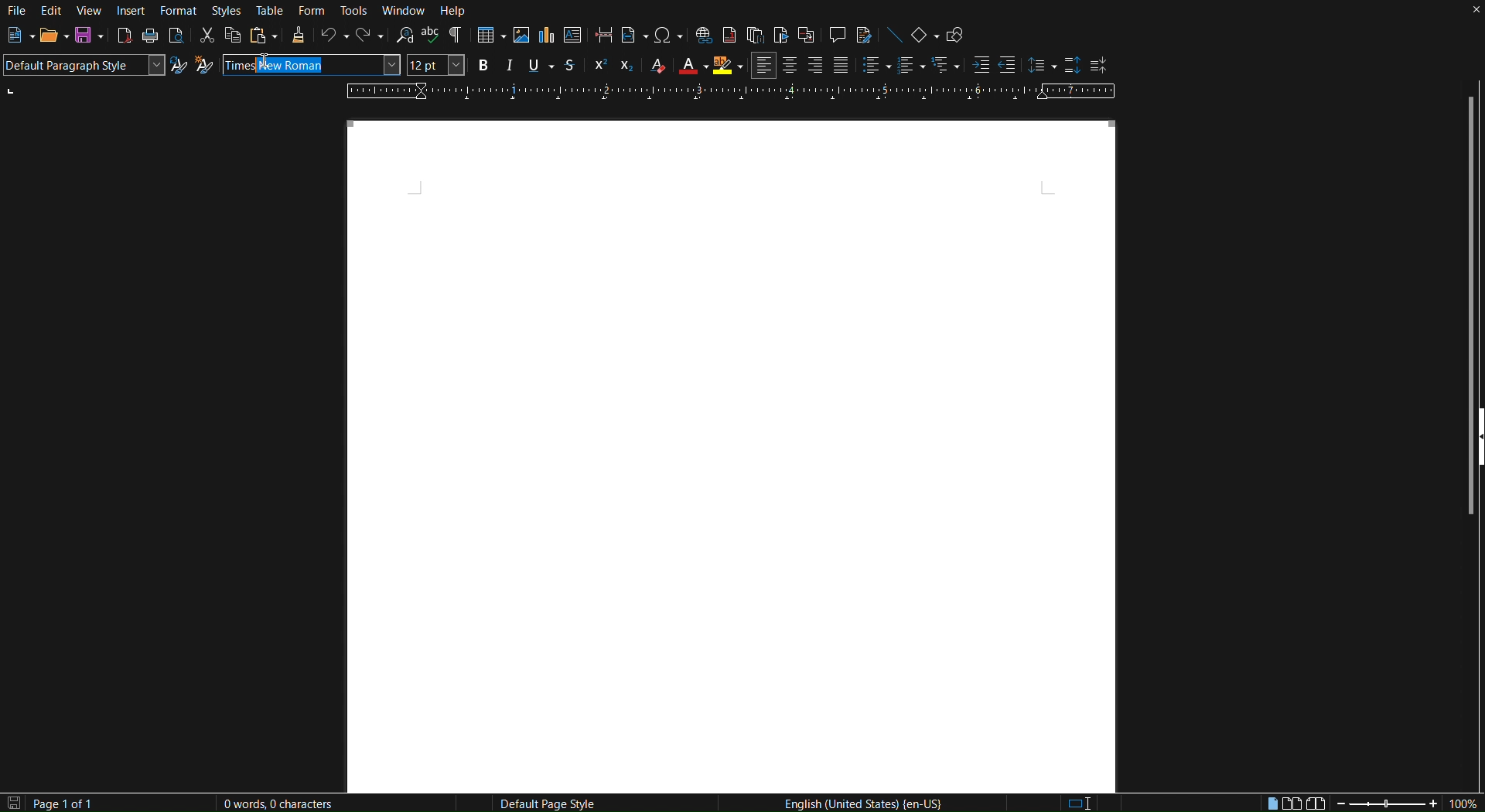  I want to click on Text Color, so click(691, 66).